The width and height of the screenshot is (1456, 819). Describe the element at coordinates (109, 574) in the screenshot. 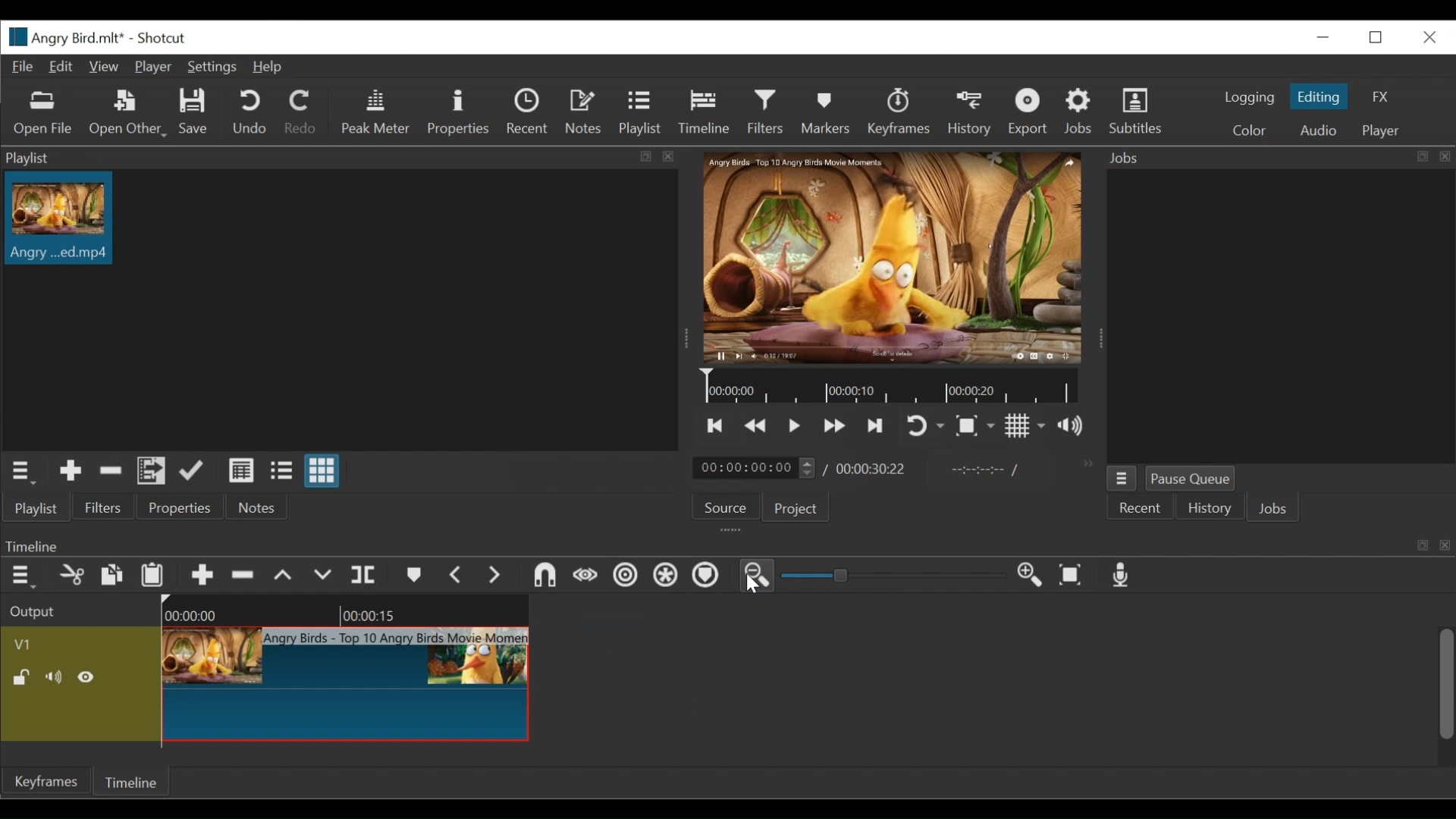

I see `copy` at that location.